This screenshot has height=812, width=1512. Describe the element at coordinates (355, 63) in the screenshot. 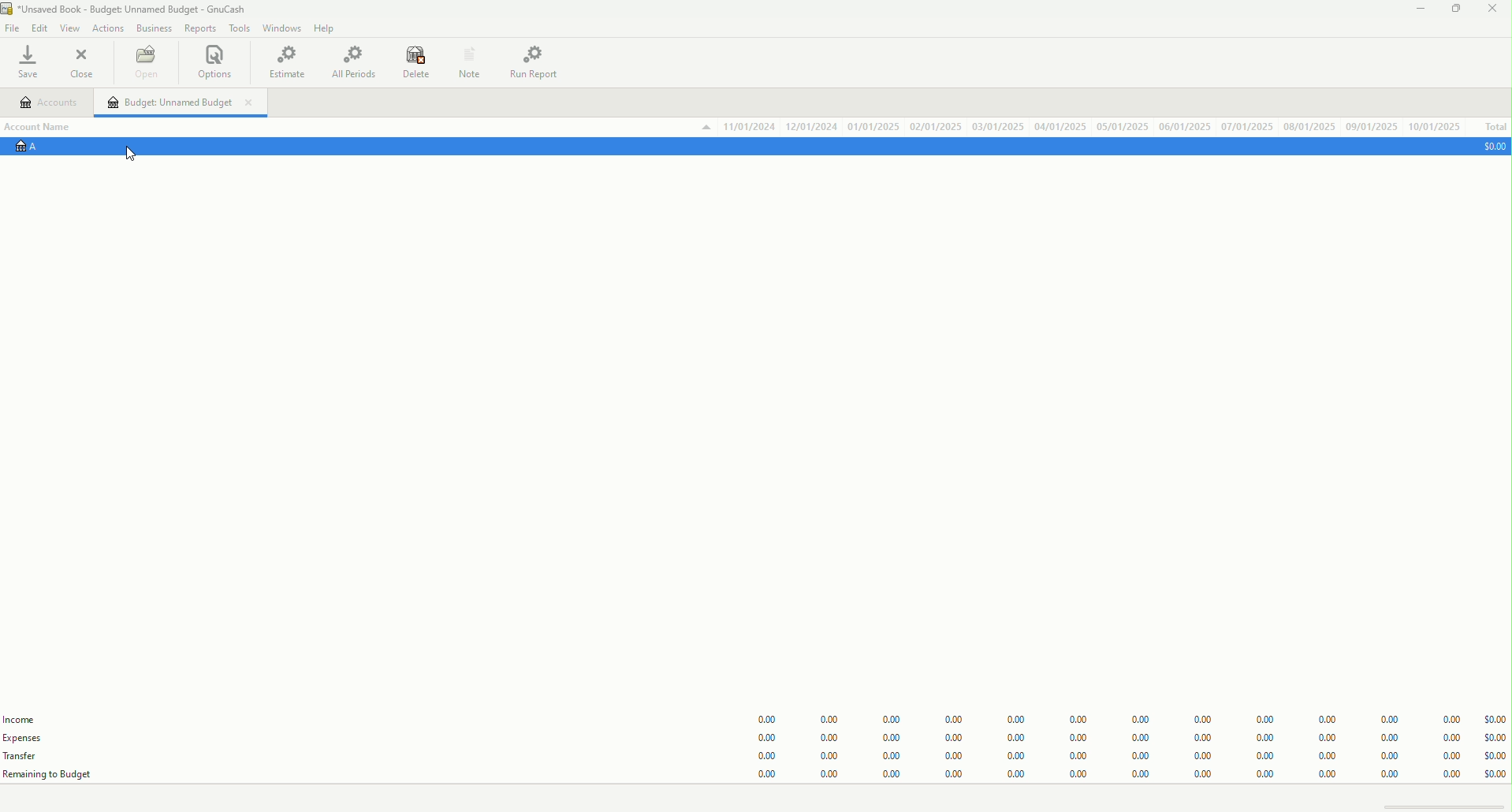

I see `All Periods` at that location.